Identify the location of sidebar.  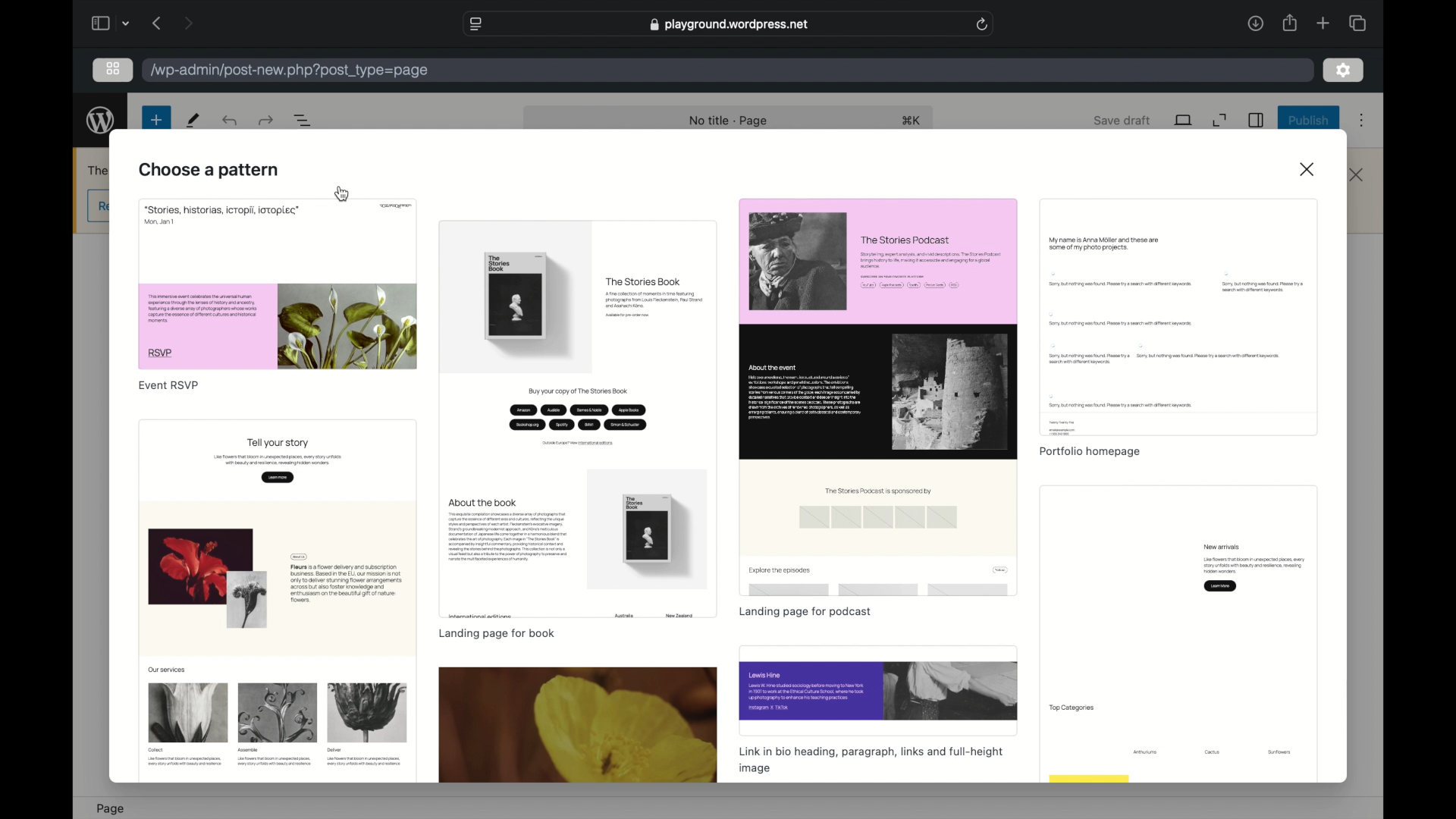
(1257, 120).